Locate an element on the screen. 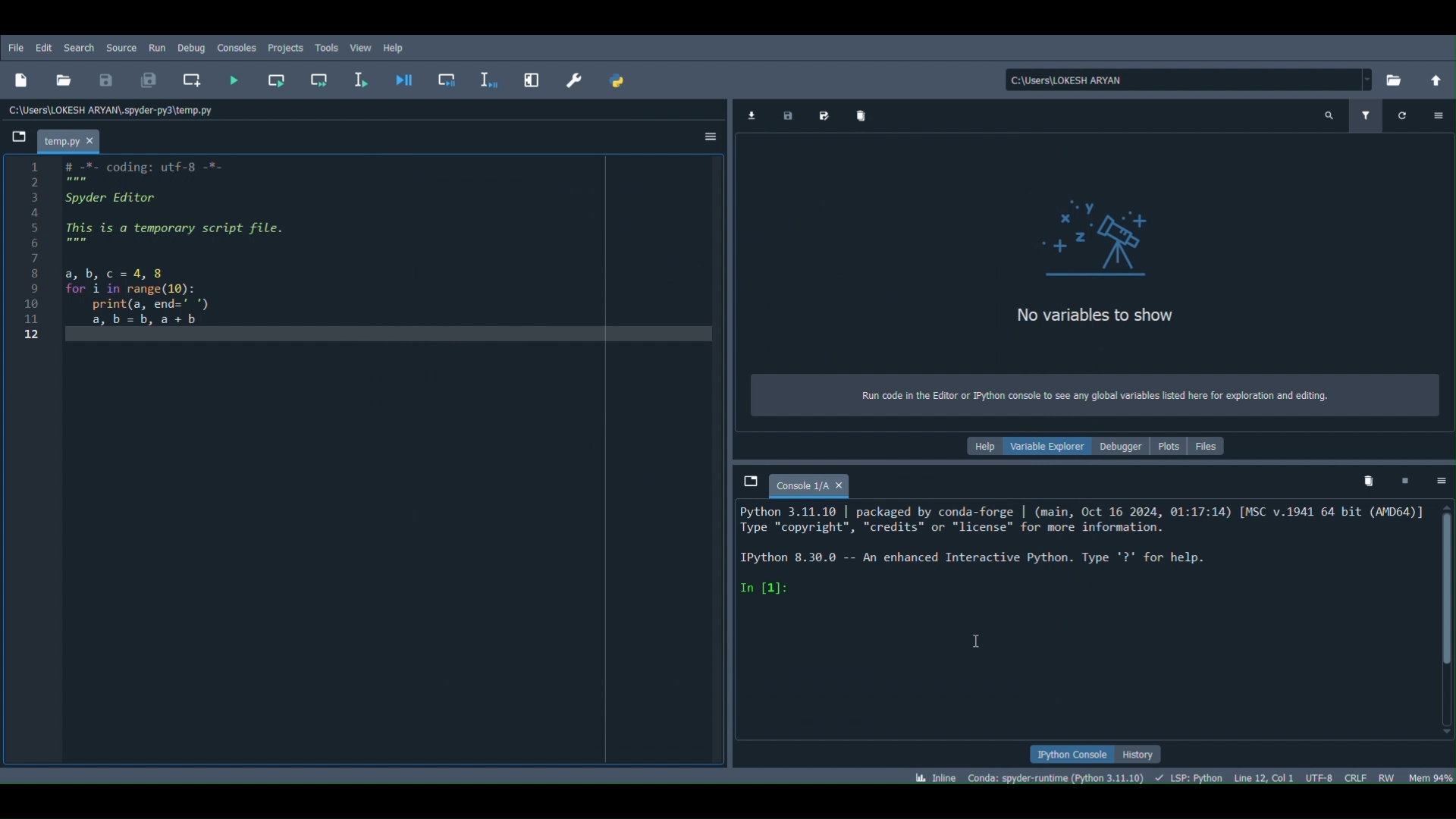  Help is located at coordinates (392, 48).